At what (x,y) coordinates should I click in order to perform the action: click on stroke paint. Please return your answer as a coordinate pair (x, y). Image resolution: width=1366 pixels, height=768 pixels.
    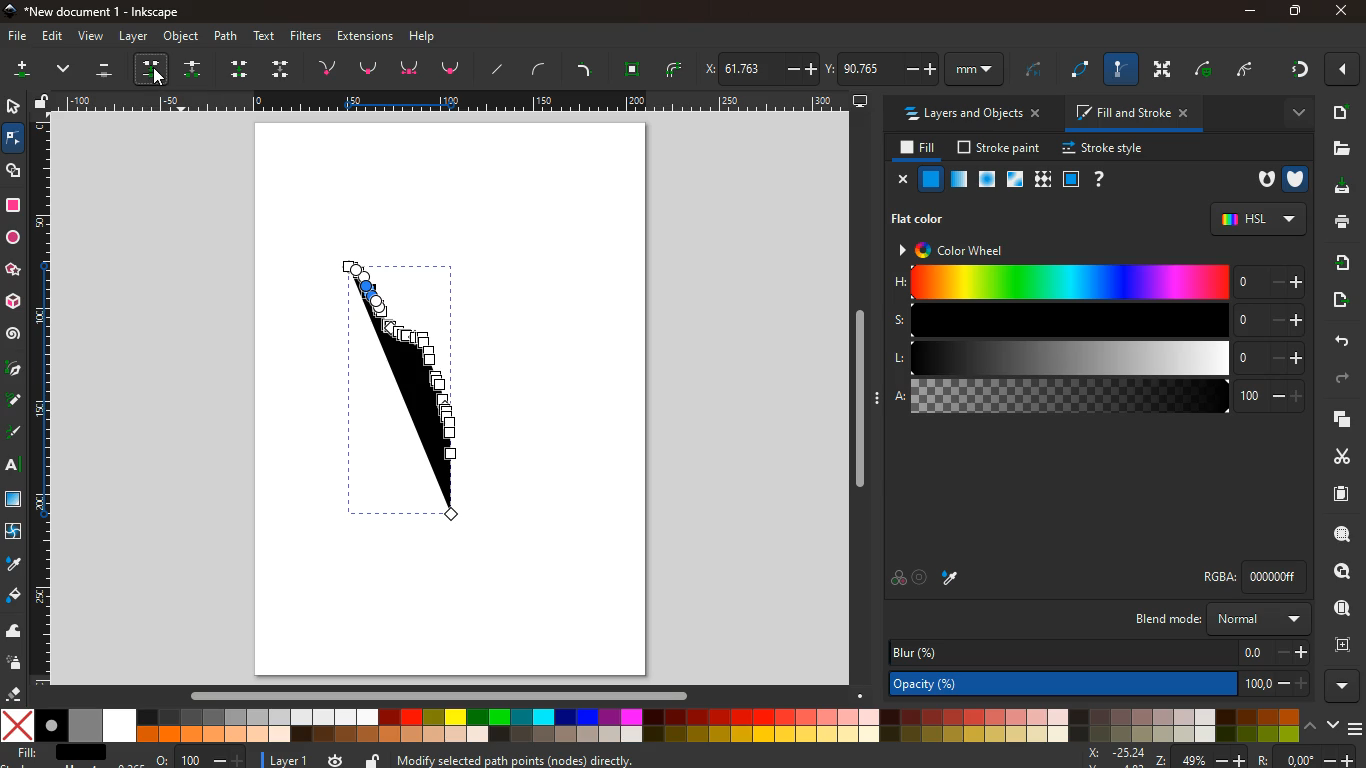
    Looking at the image, I should click on (1001, 147).